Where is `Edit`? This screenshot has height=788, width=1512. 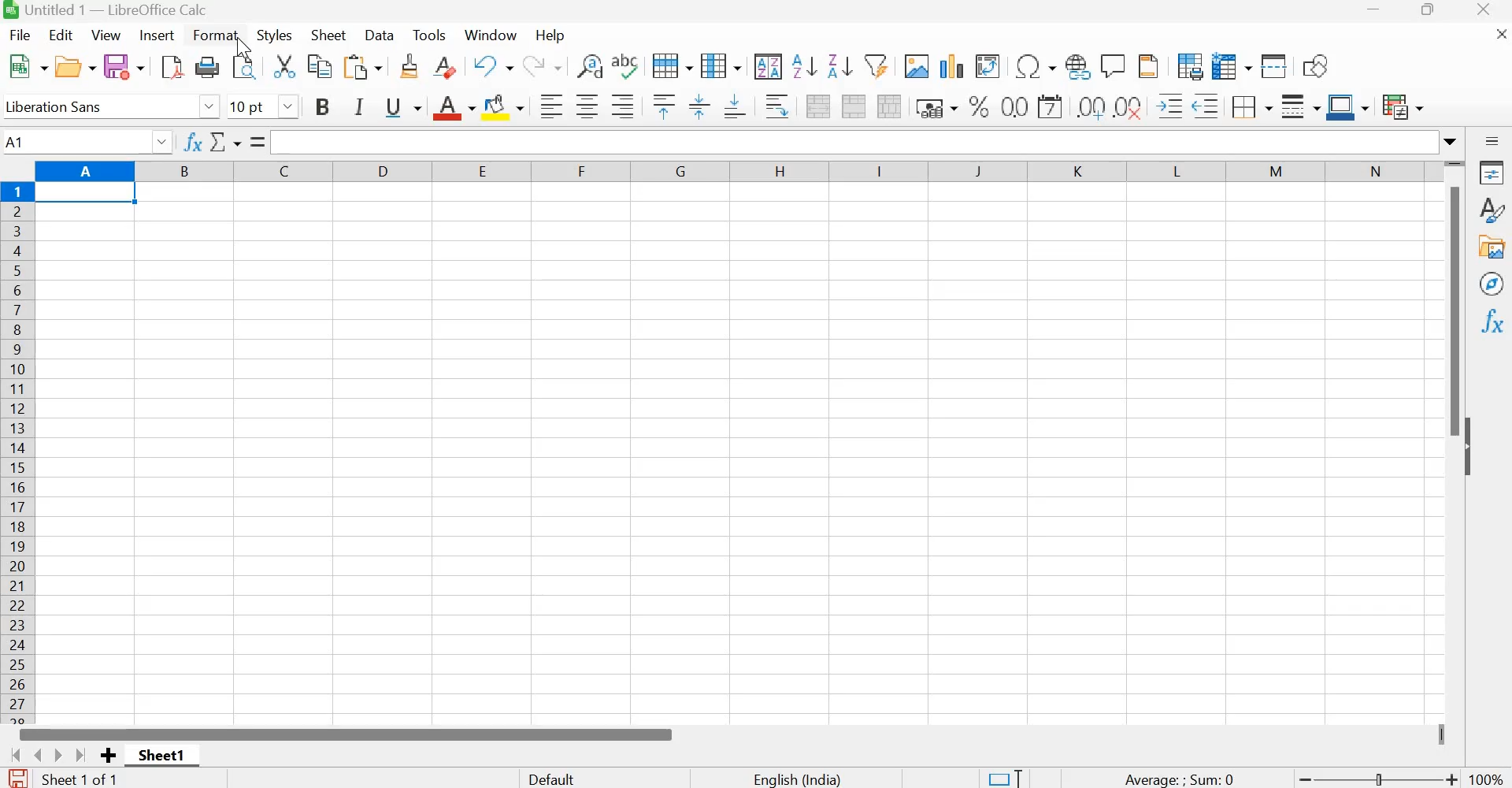
Edit is located at coordinates (62, 34).